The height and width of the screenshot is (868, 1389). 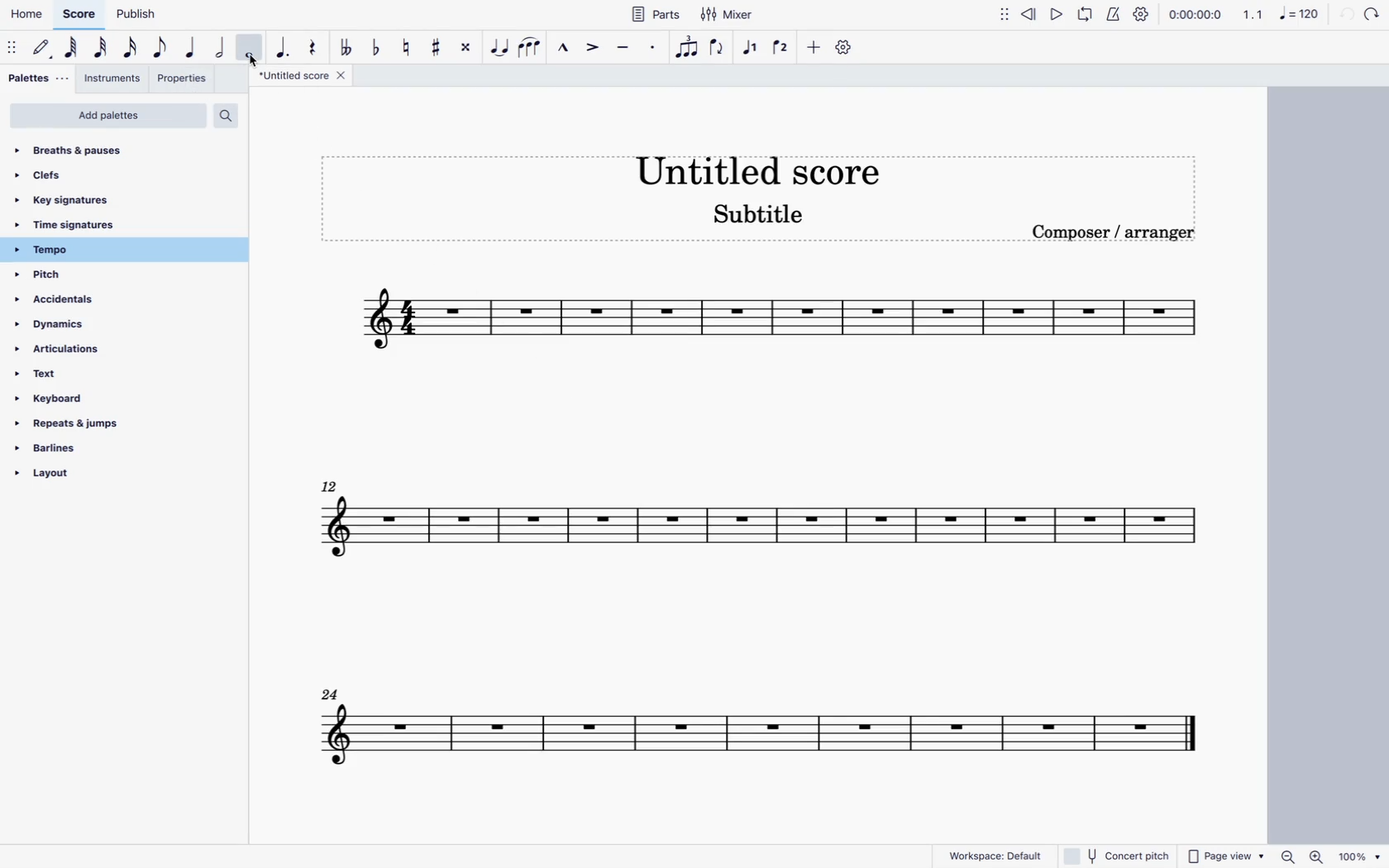 I want to click on toggle natural, so click(x=405, y=46).